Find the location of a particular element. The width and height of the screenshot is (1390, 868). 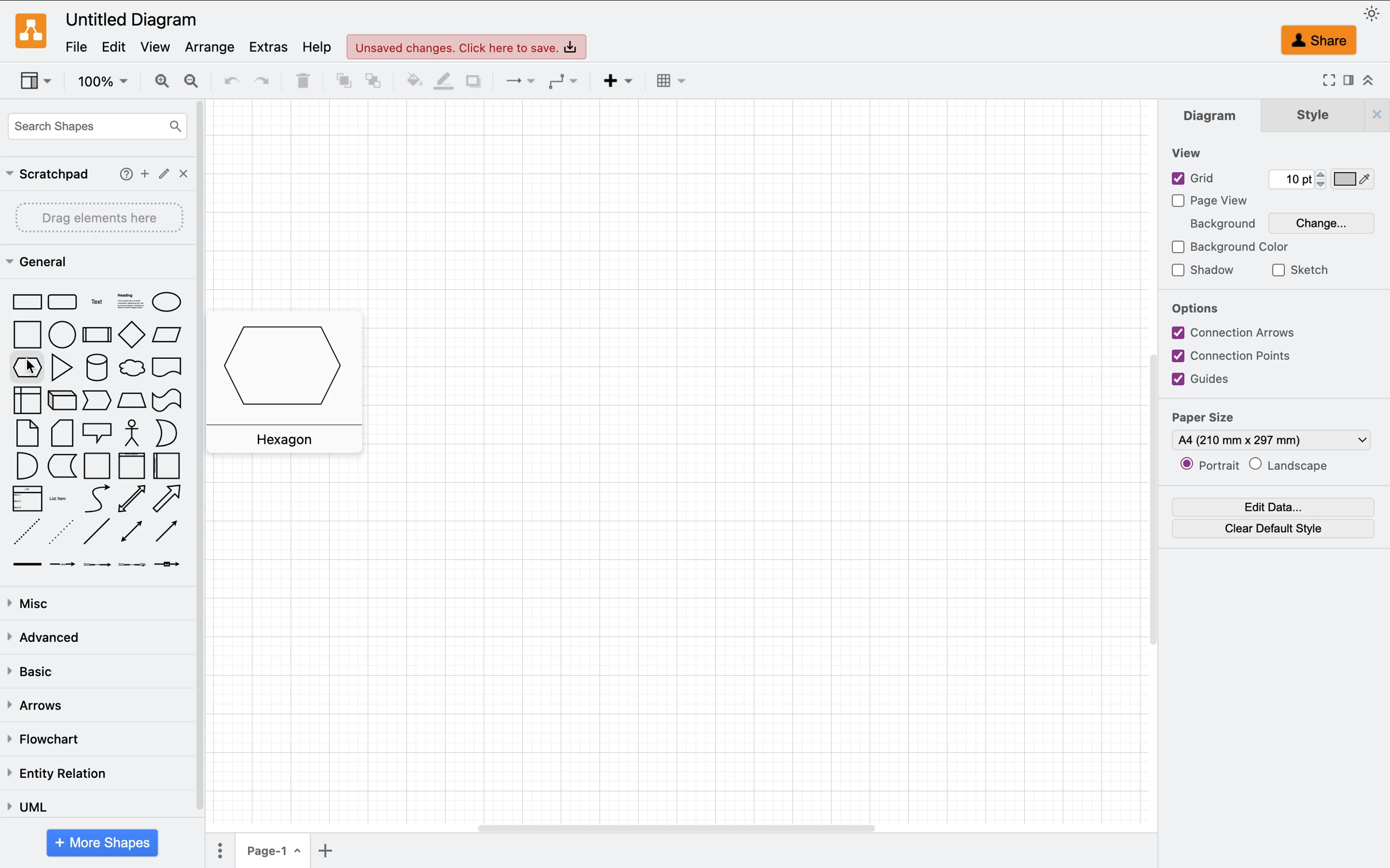

dashed line is located at coordinates (26, 532).